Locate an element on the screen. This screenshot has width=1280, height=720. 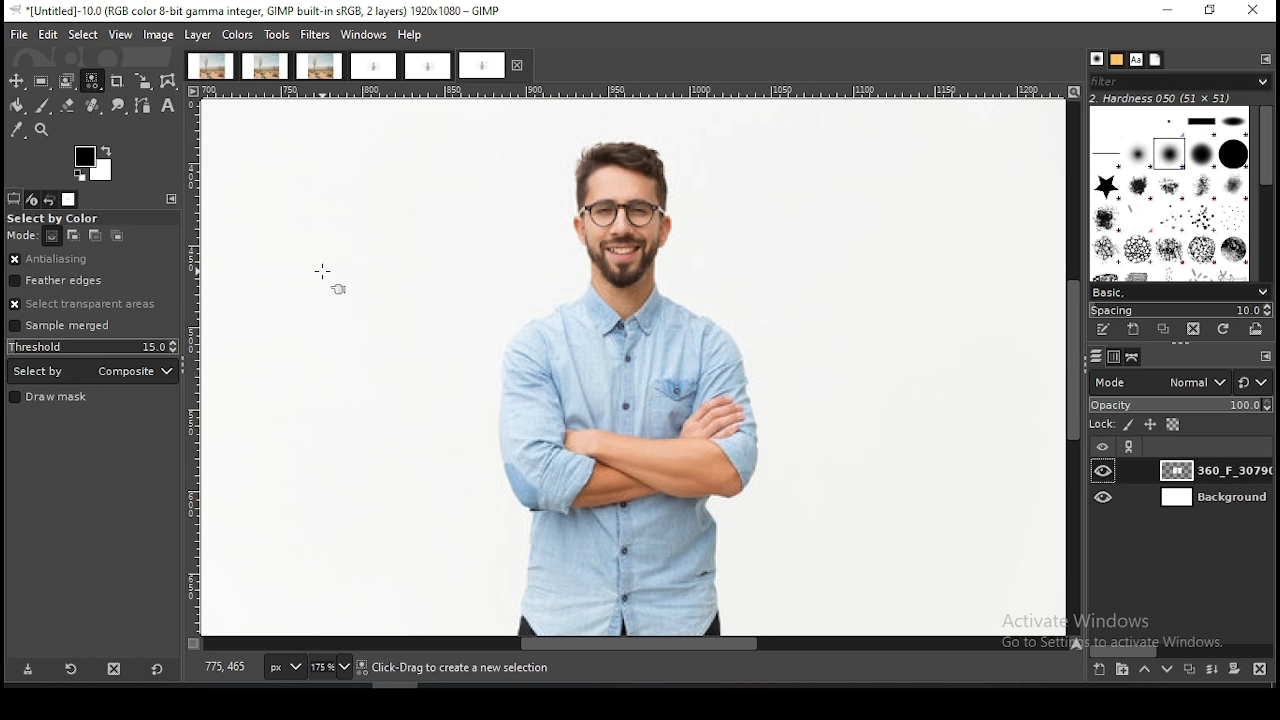
antiliasing is located at coordinates (92, 260).